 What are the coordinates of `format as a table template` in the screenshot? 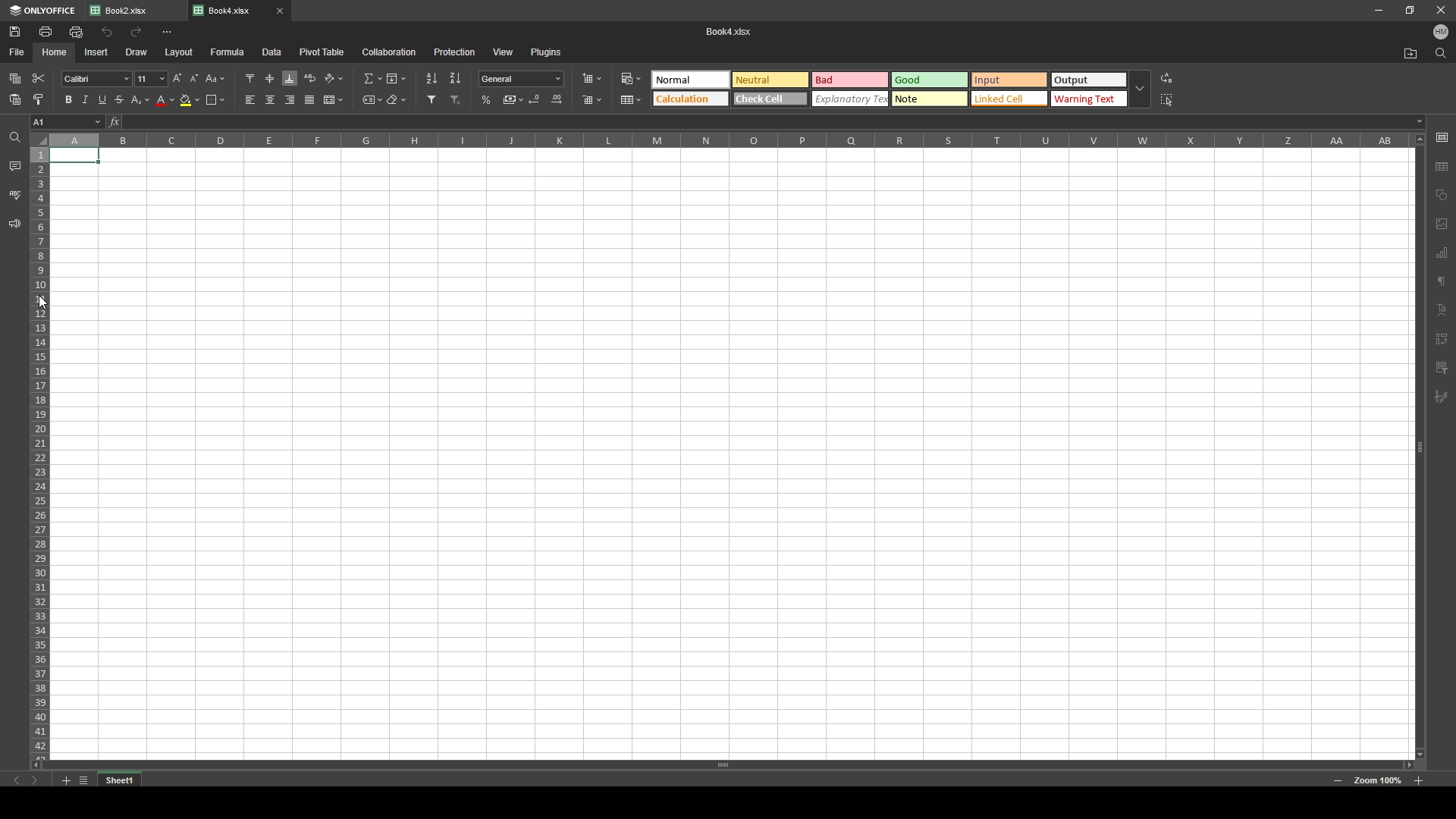 It's located at (631, 100).